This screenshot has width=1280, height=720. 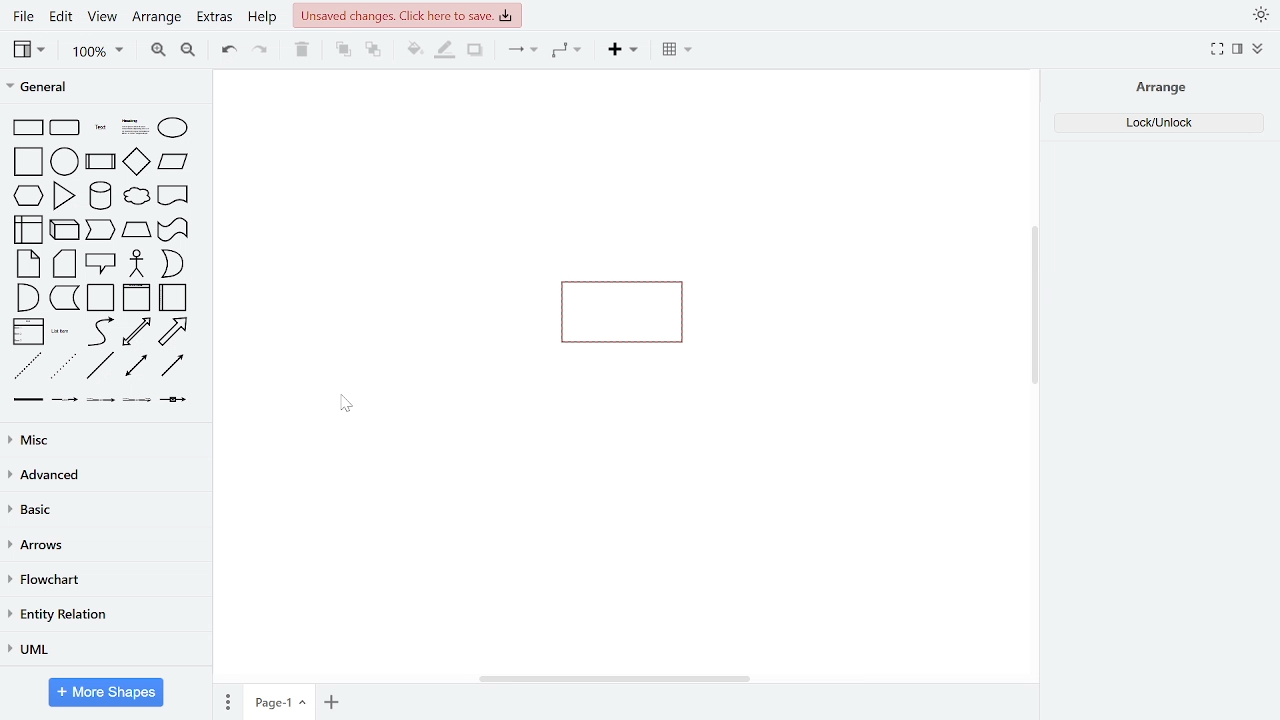 I want to click on circle, so click(x=65, y=160).